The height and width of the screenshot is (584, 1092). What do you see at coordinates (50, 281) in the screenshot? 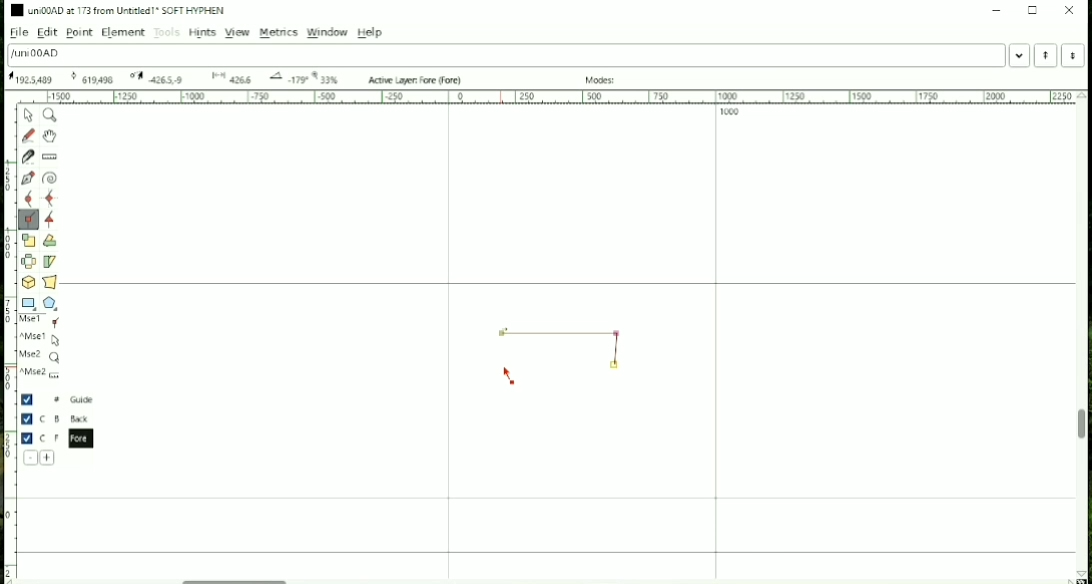
I see `Perform a perspective transformation on the selection` at bounding box center [50, 281].